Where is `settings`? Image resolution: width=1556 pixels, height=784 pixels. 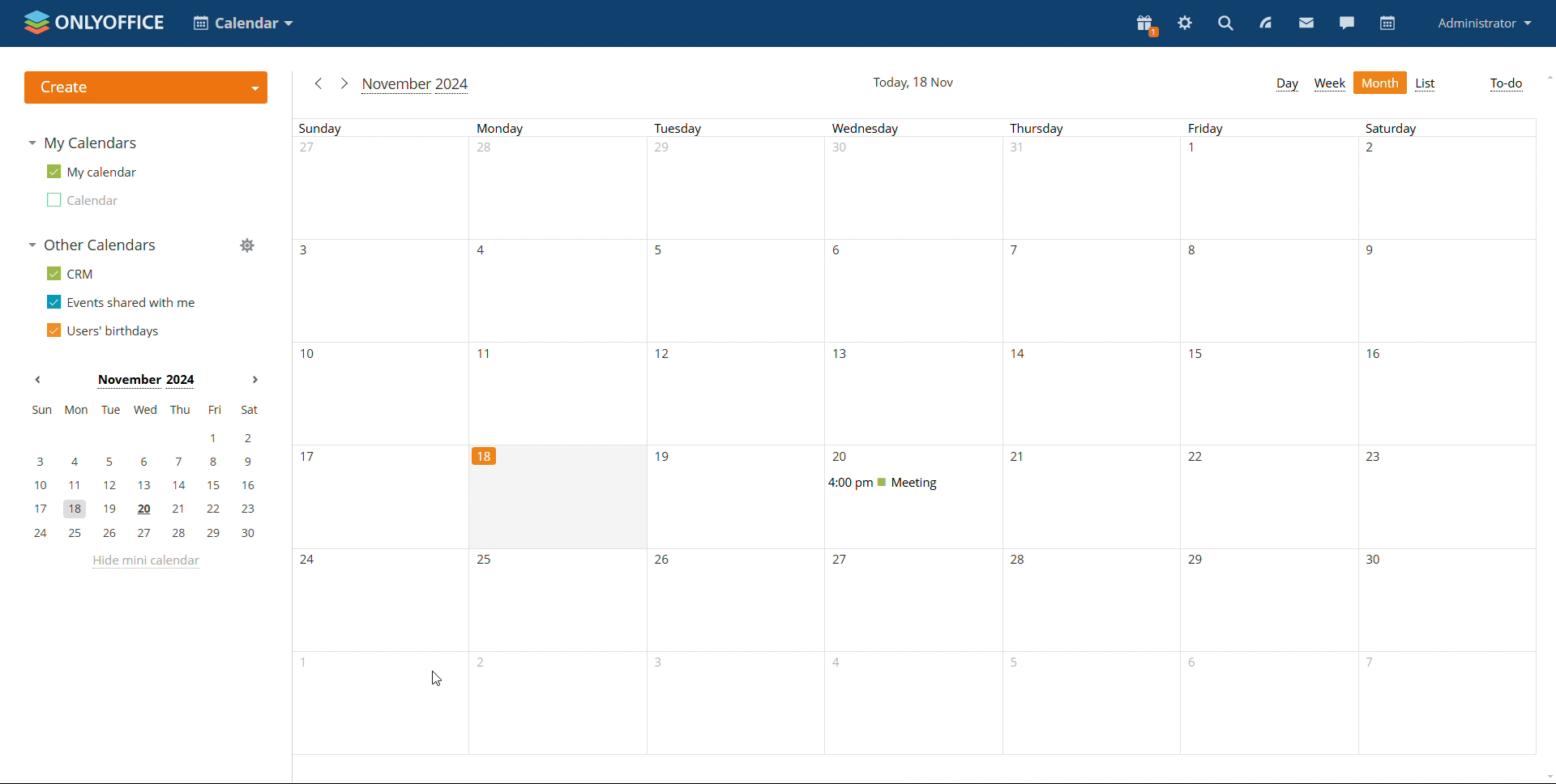
settings is located at coordinates (1186, 21).